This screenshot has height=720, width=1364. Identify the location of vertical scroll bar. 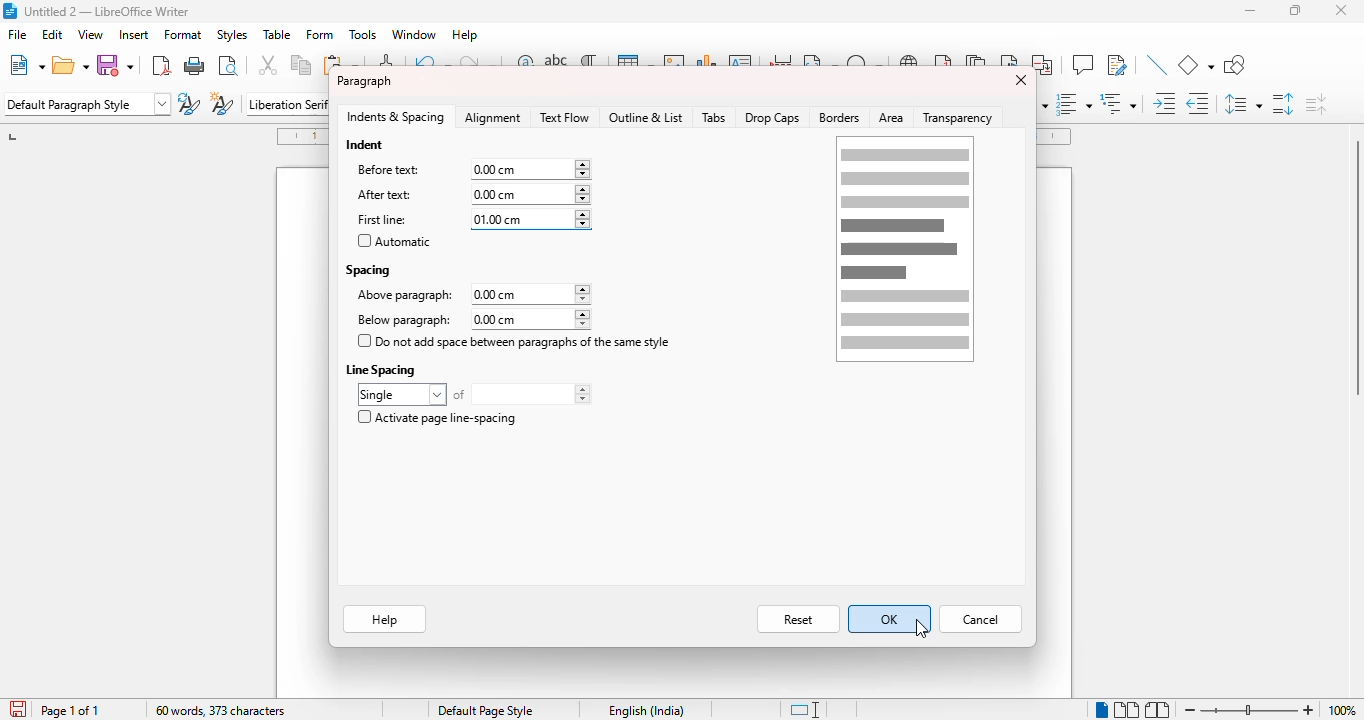
(1355, 267).